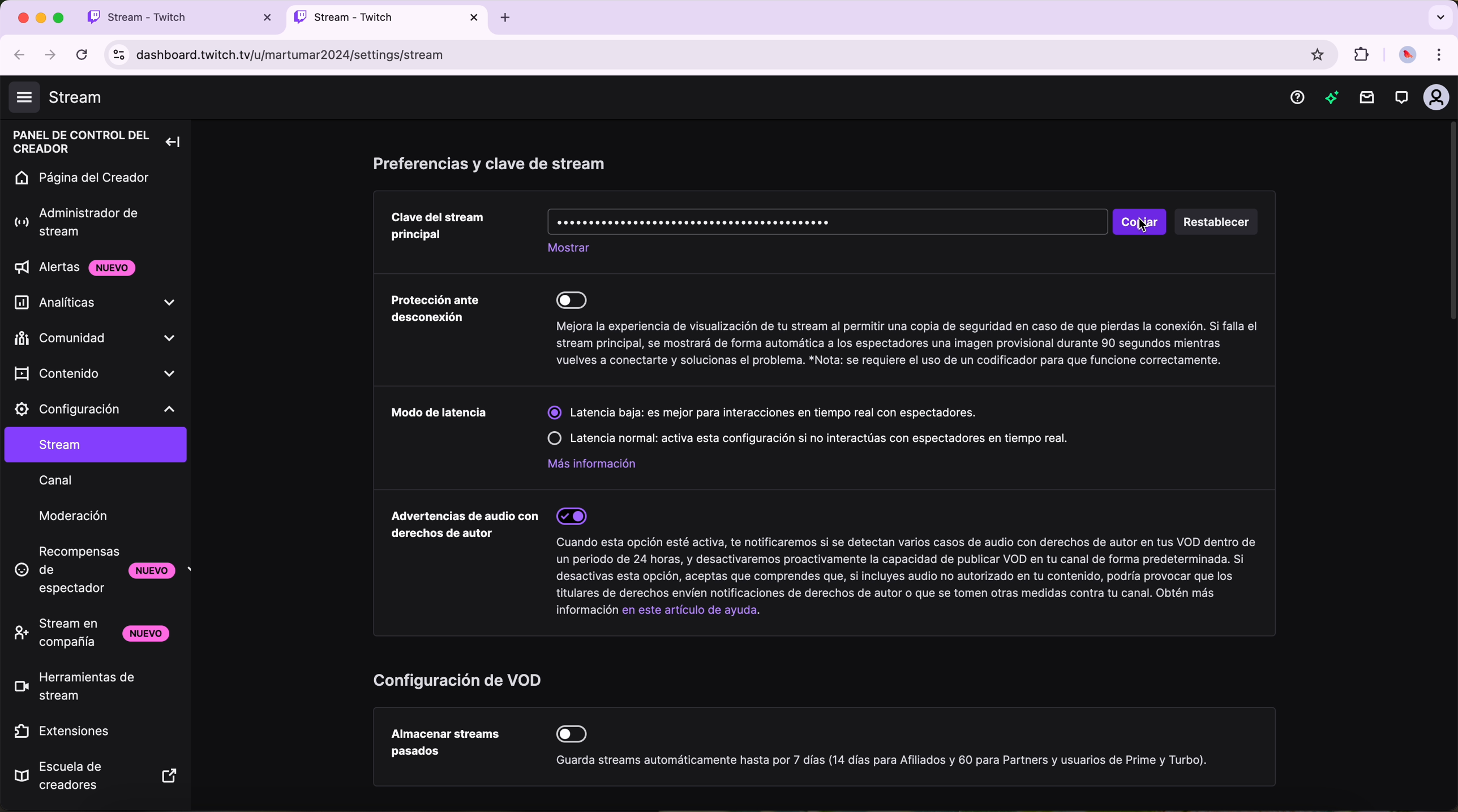 This screenshot has width=1458, height=812. Describe the element at coordinates (389, 18) in the screenshot. I see `open tab` at that location.